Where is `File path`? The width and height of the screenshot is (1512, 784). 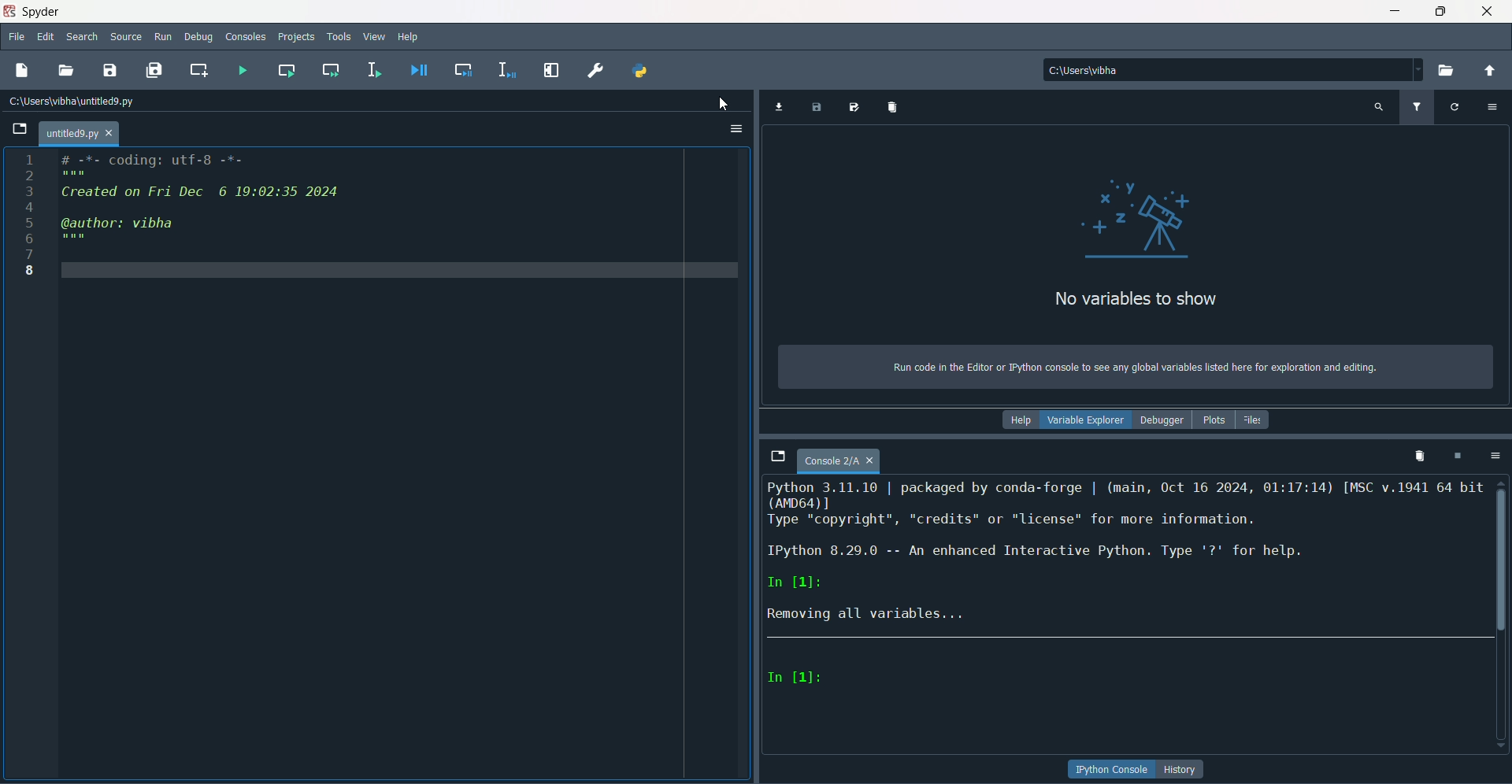
File path is located at coordinates (75, 101).